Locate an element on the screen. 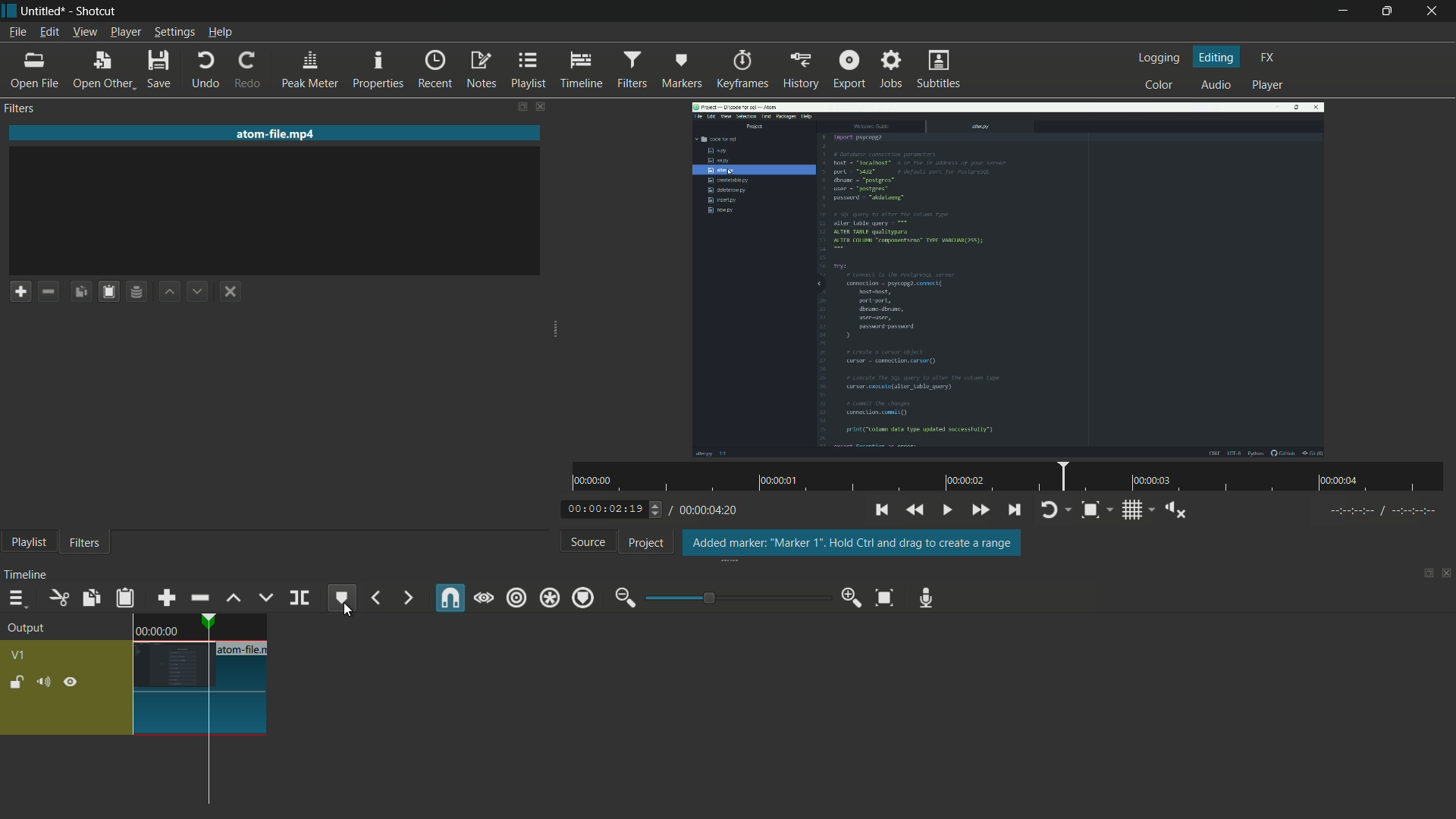  zoom out is located at coordinates (623, 599).